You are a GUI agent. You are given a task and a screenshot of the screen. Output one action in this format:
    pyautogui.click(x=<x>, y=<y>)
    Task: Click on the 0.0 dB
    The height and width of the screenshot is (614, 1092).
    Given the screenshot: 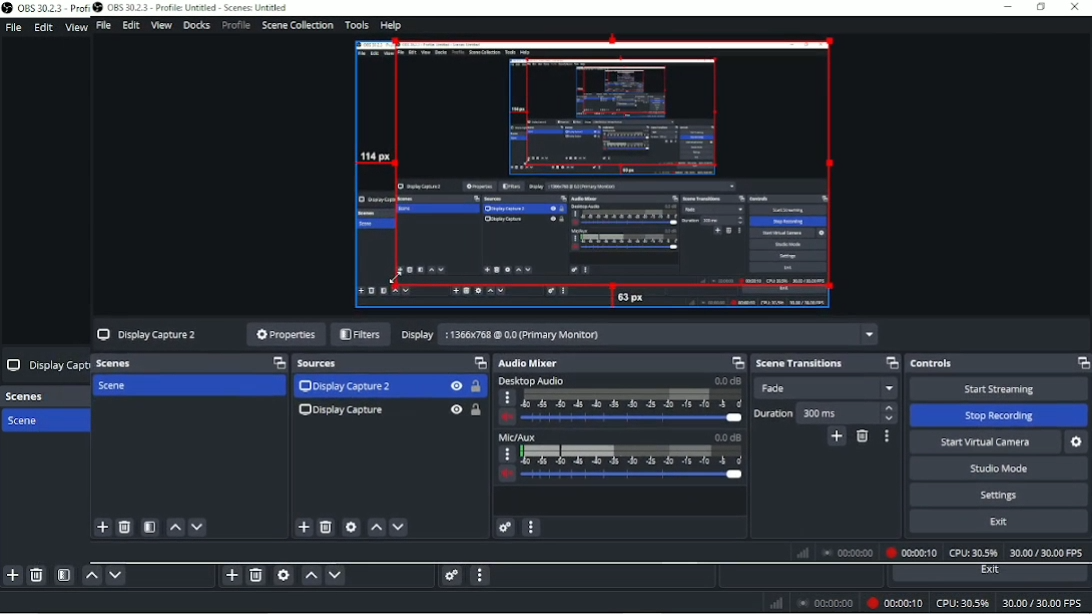 What is the action you would take?
    pyautogui.click(x=726, y=382)
    